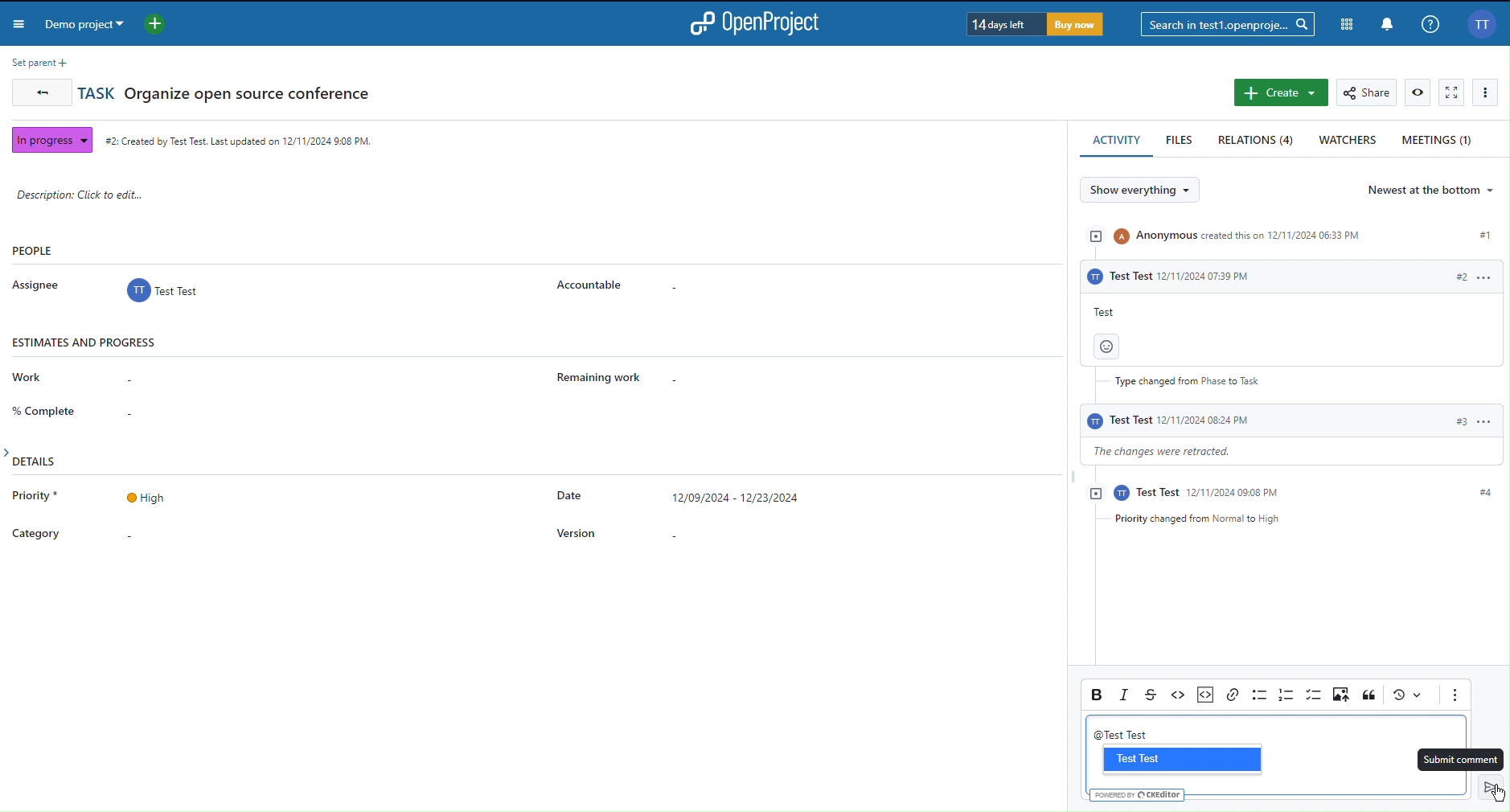 The width and height of the screenshot is (1510, 812). Describe the element at coordinates (446, 511) in the screenshot. I see `Details` at that location.